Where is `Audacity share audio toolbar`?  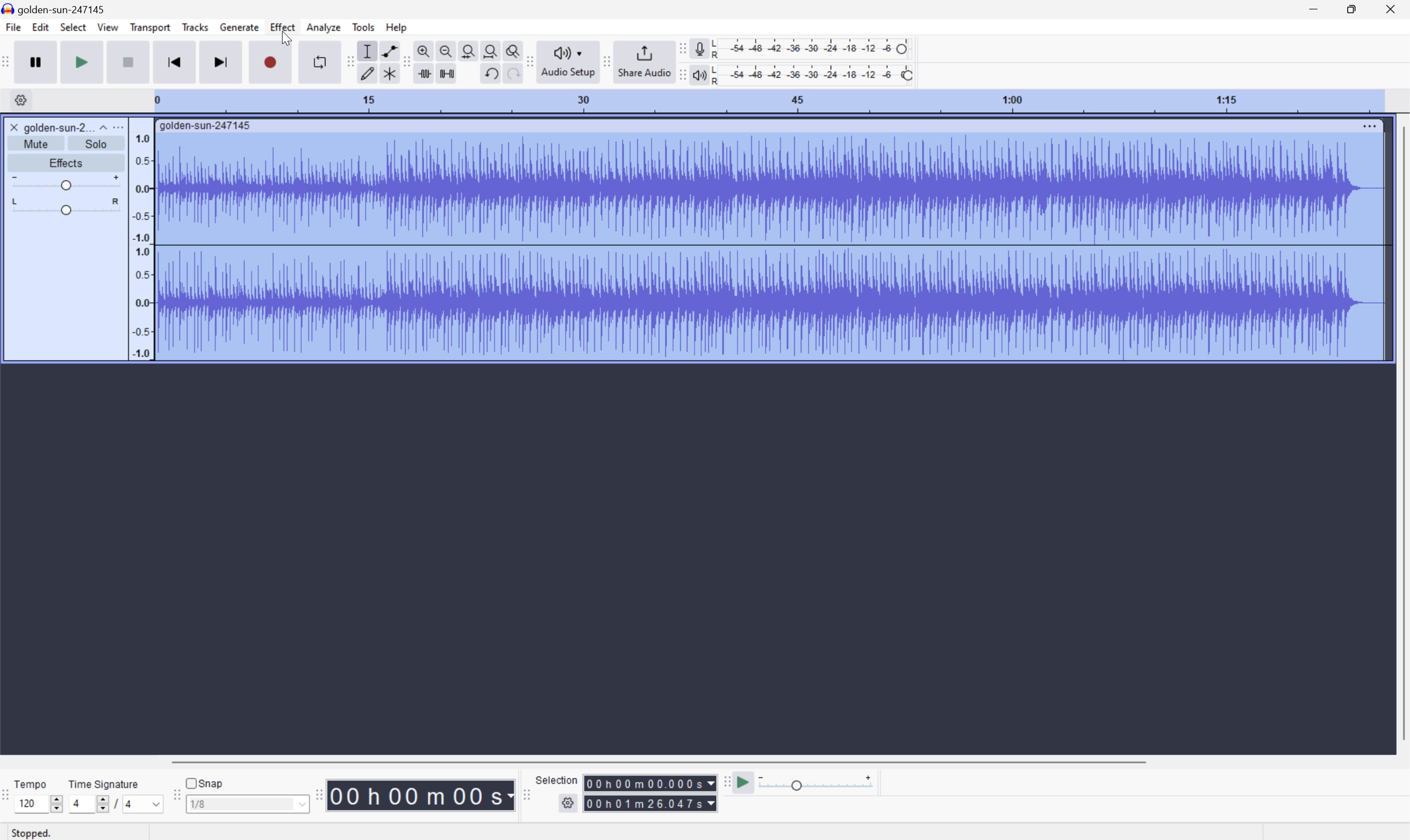 Audacity share audio toolbar is located at coordinates (607, 62).